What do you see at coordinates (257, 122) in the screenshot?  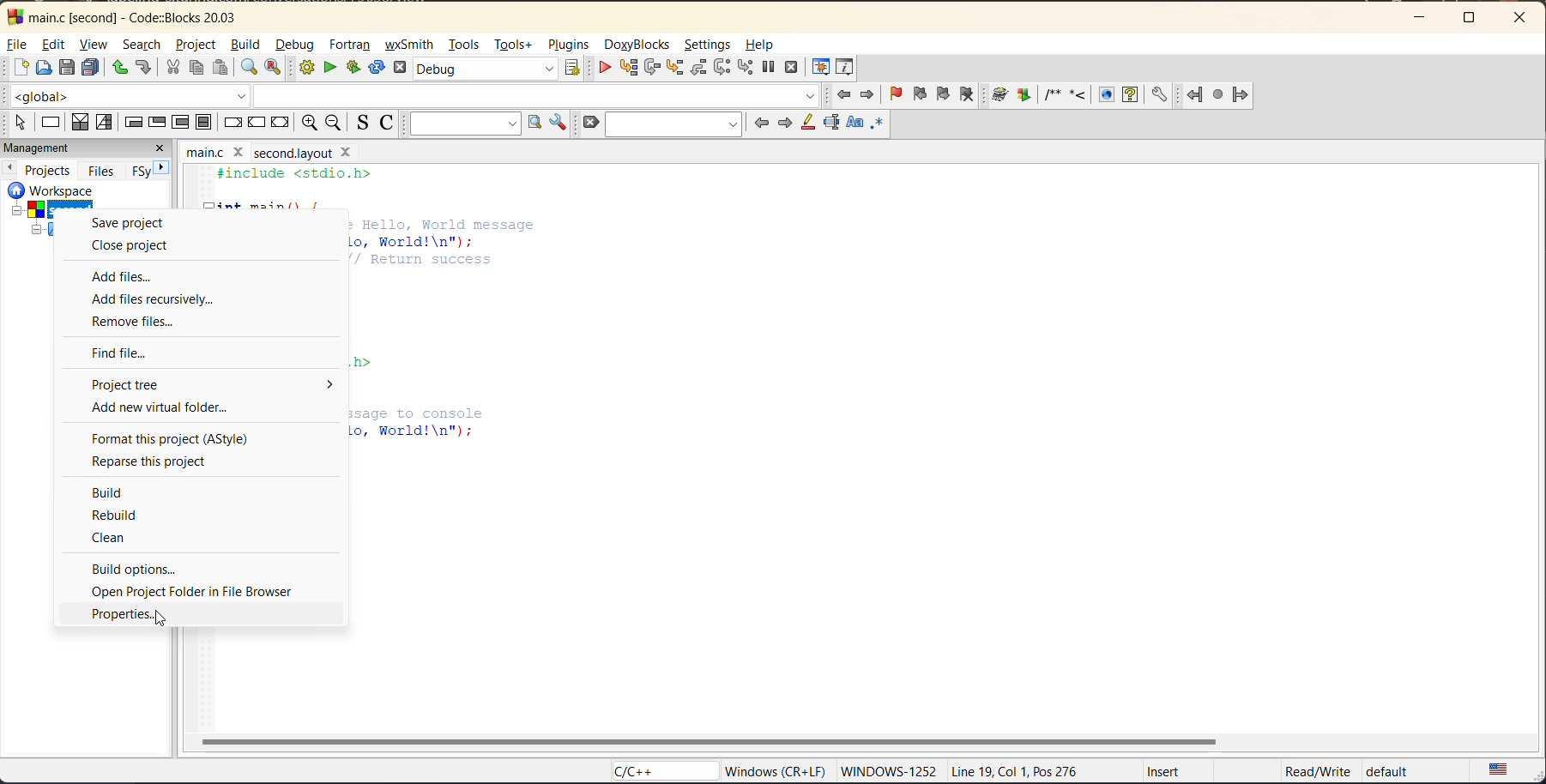 I see `continue instruction` at bounding box center [257, 122].